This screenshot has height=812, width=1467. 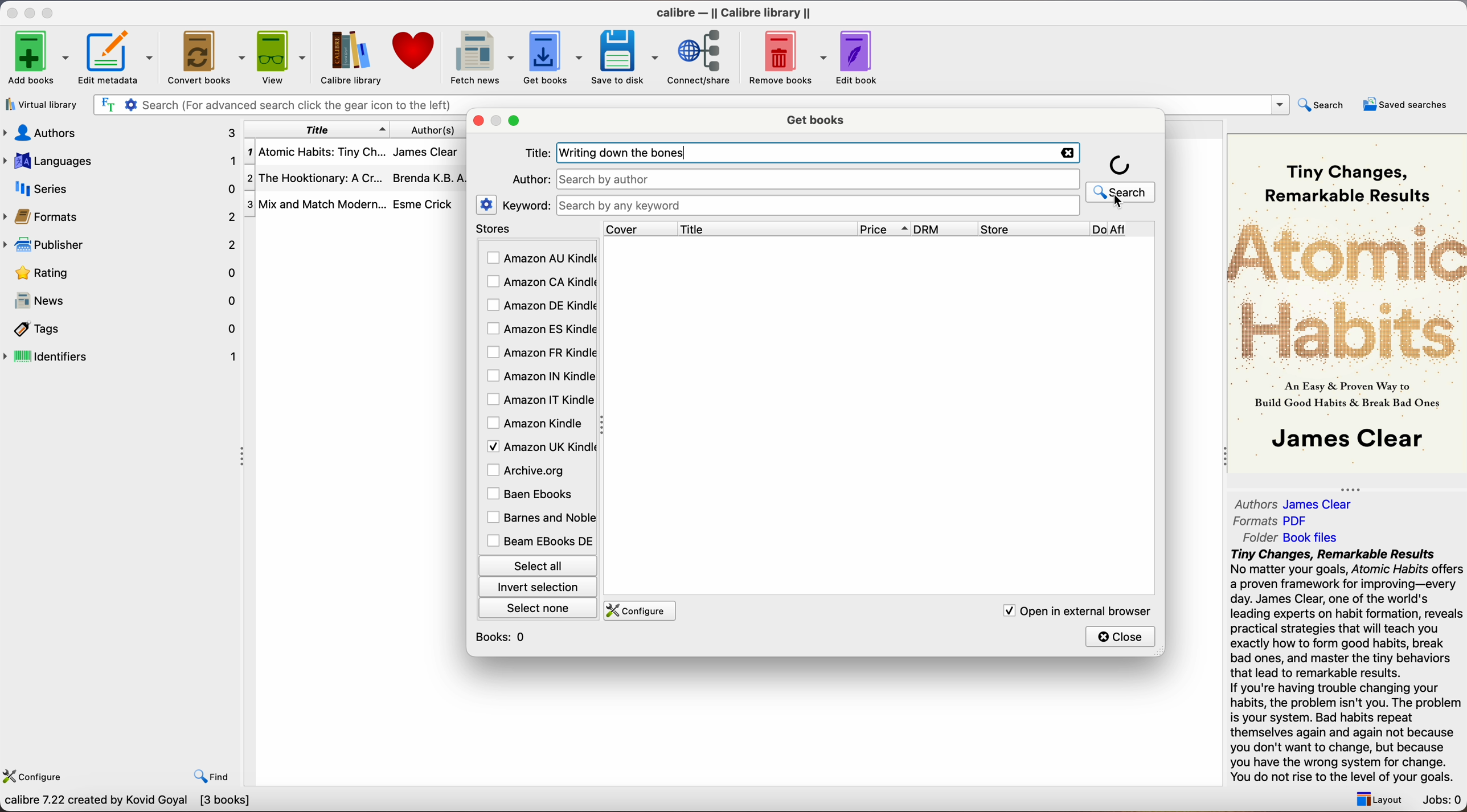 What do you see at coordinates (1443, 801) in the screenshot?
I see `Jobs: 0` at bounding box center [1443, 801].